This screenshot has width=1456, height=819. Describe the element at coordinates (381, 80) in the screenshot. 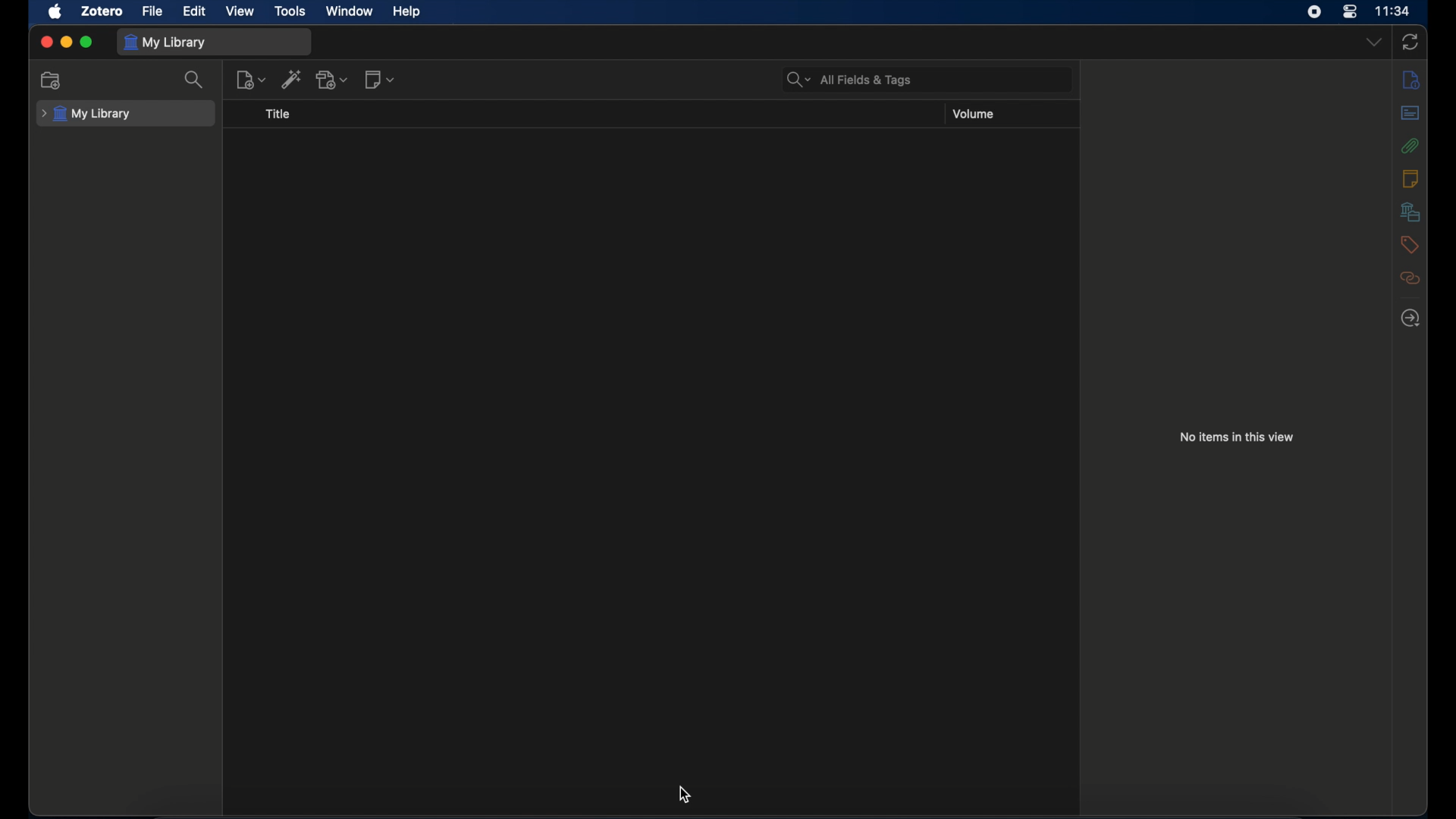

I see `new note` at that location.